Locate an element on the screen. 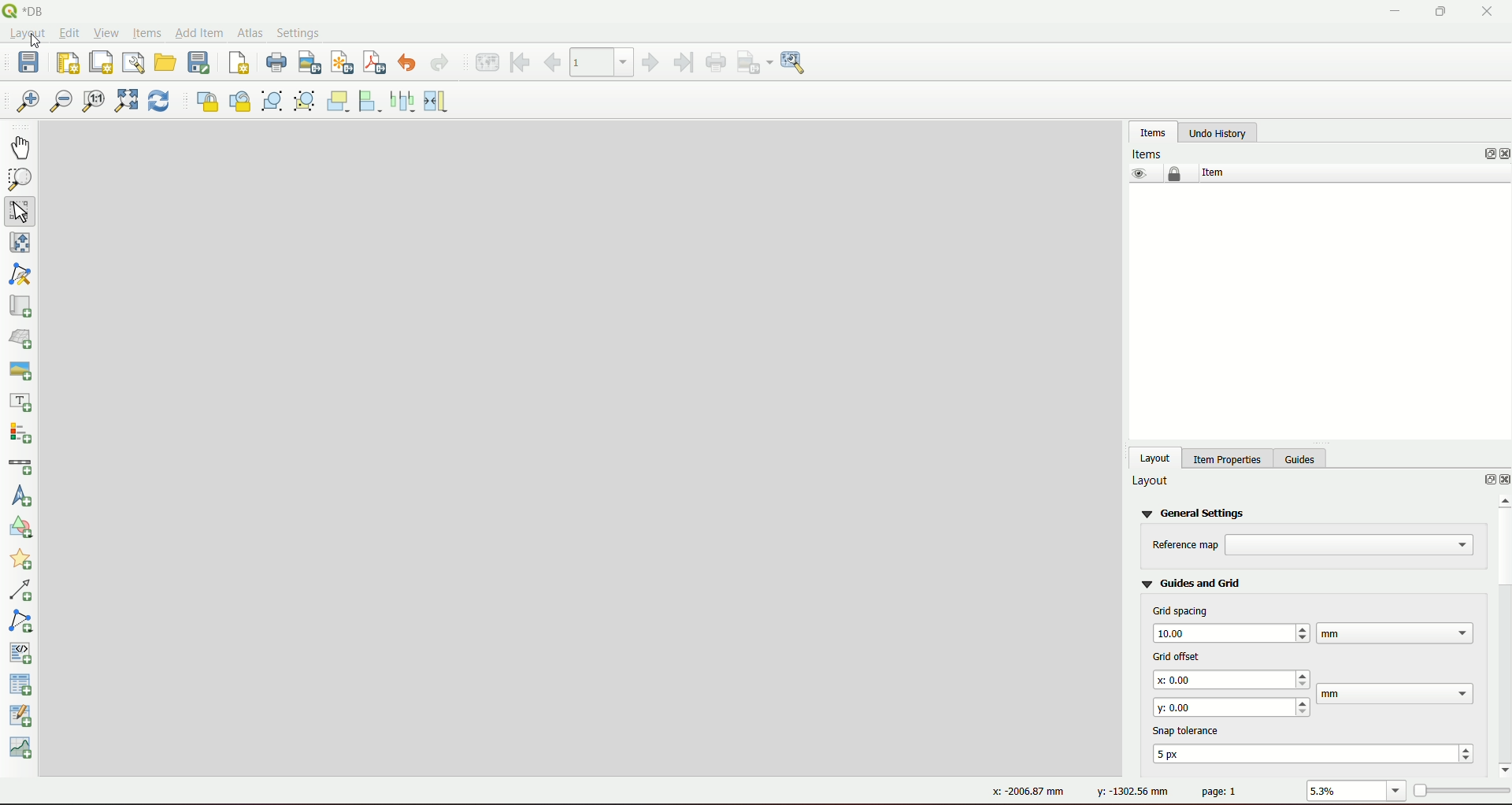 This screenshot has height=805, width=1512. export as pdf is located at coordinates (375, 63).